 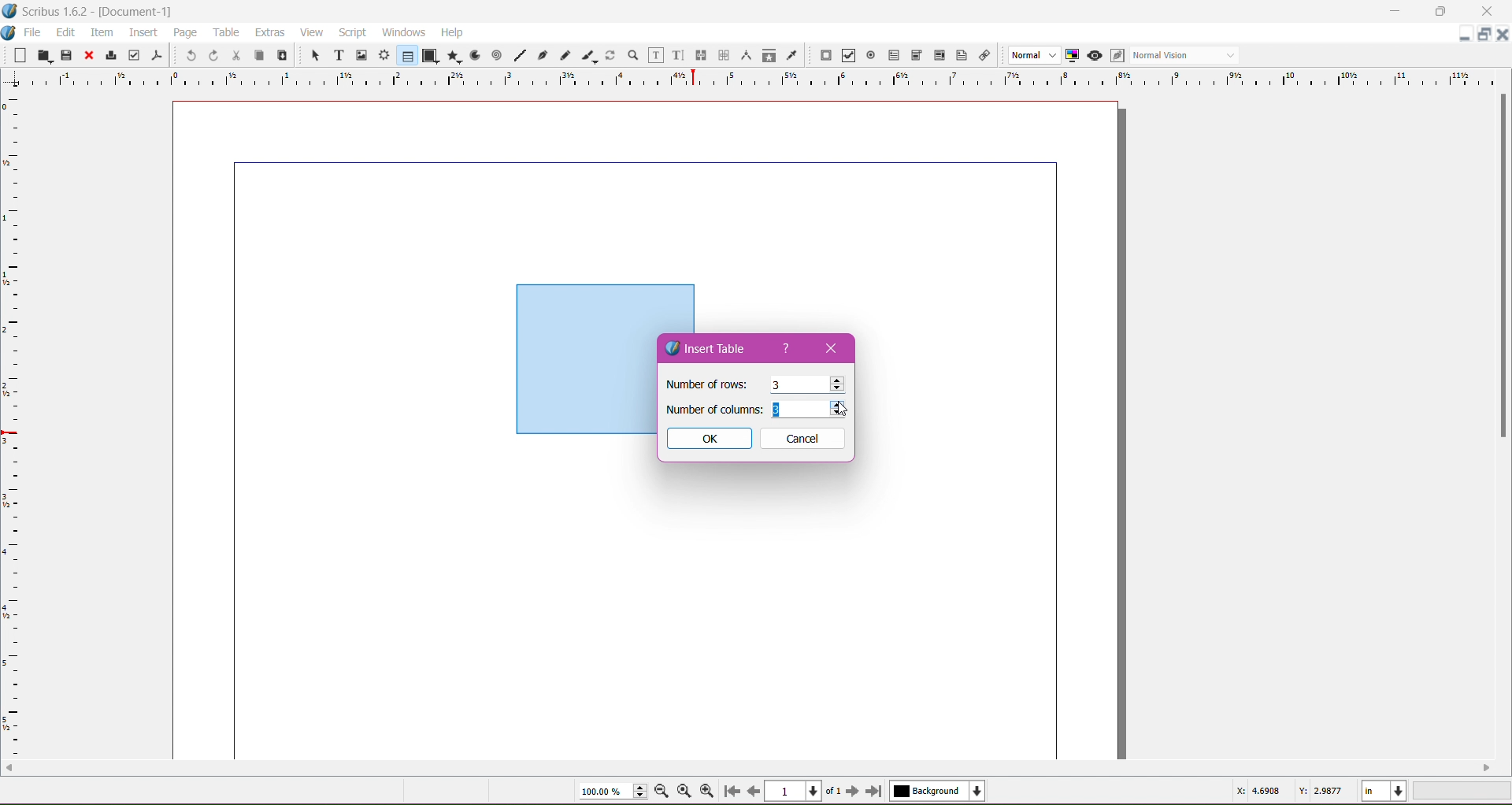 What do you see at coordinates (67, 54) in the screenshot?
I see `Save` at bounding box center [67, 54].